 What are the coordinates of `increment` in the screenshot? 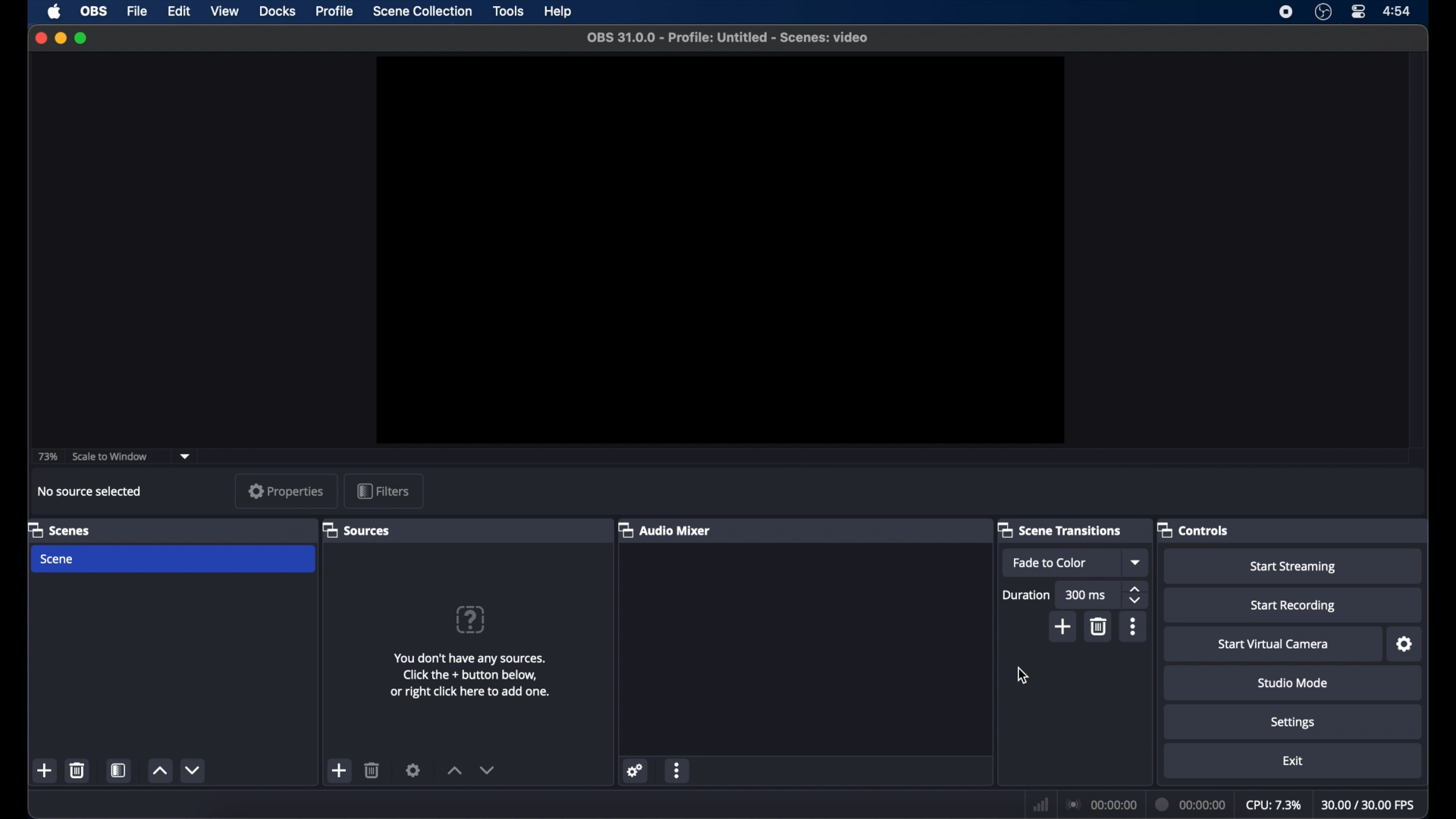 It's located at (158, 771).